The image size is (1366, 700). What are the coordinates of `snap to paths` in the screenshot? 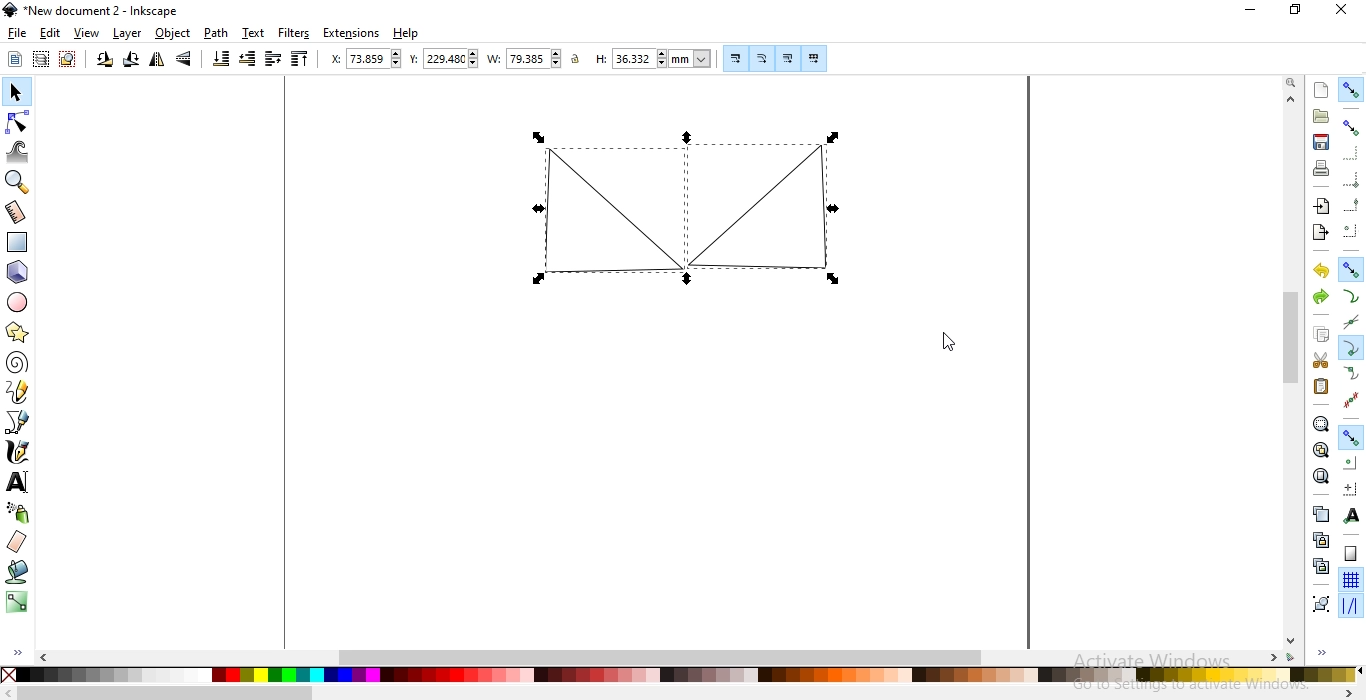 It's located at (1350, 296).